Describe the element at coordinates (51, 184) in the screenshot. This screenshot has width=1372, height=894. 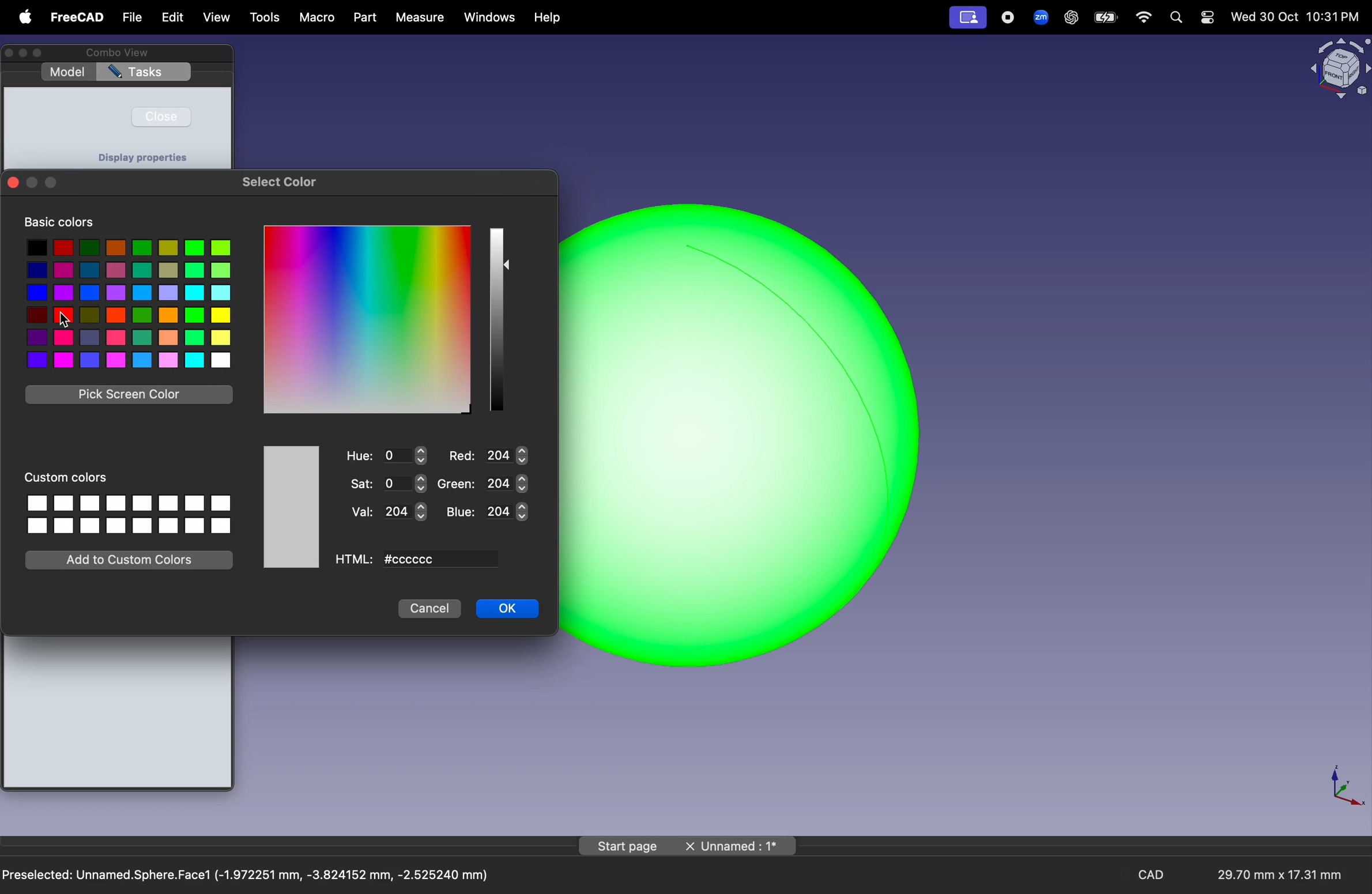
I see `fullscreen` at that location.